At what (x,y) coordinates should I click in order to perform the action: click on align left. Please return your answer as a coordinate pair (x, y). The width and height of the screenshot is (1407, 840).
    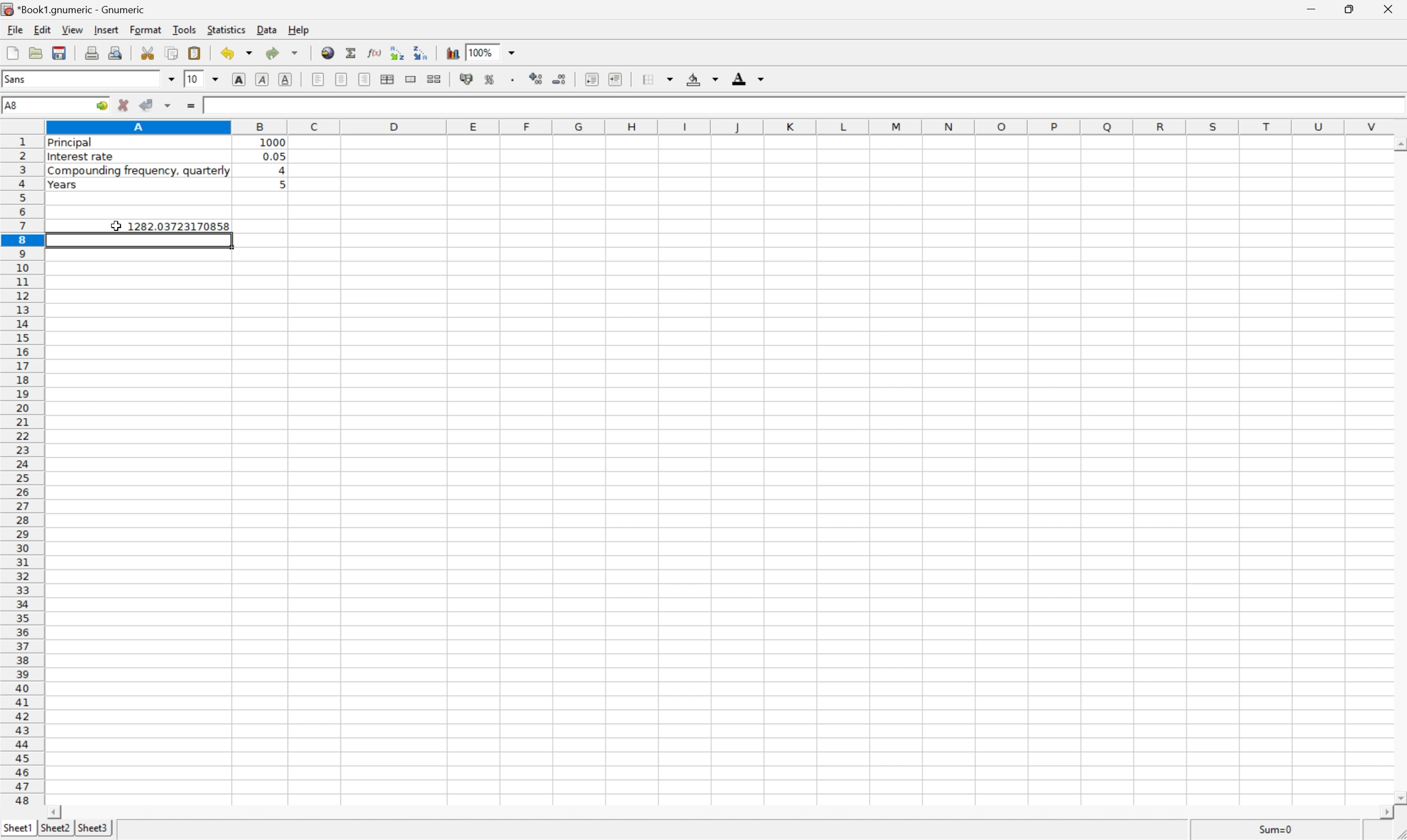
    Looking at the image, I should click on (318, 78).